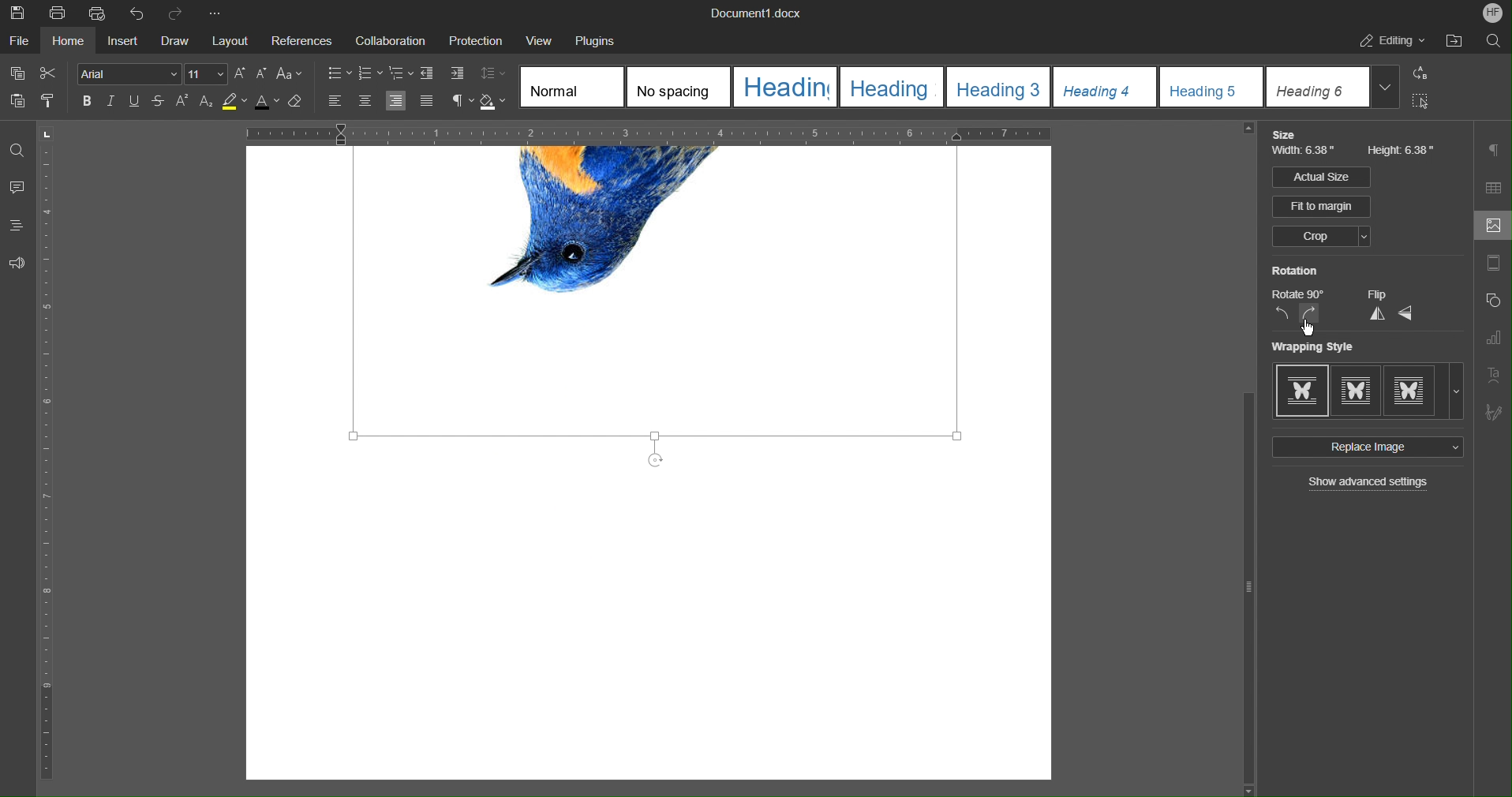 This screenshot has width=1512, height=797. I want to click on Image Settings, so click(1493, 226).